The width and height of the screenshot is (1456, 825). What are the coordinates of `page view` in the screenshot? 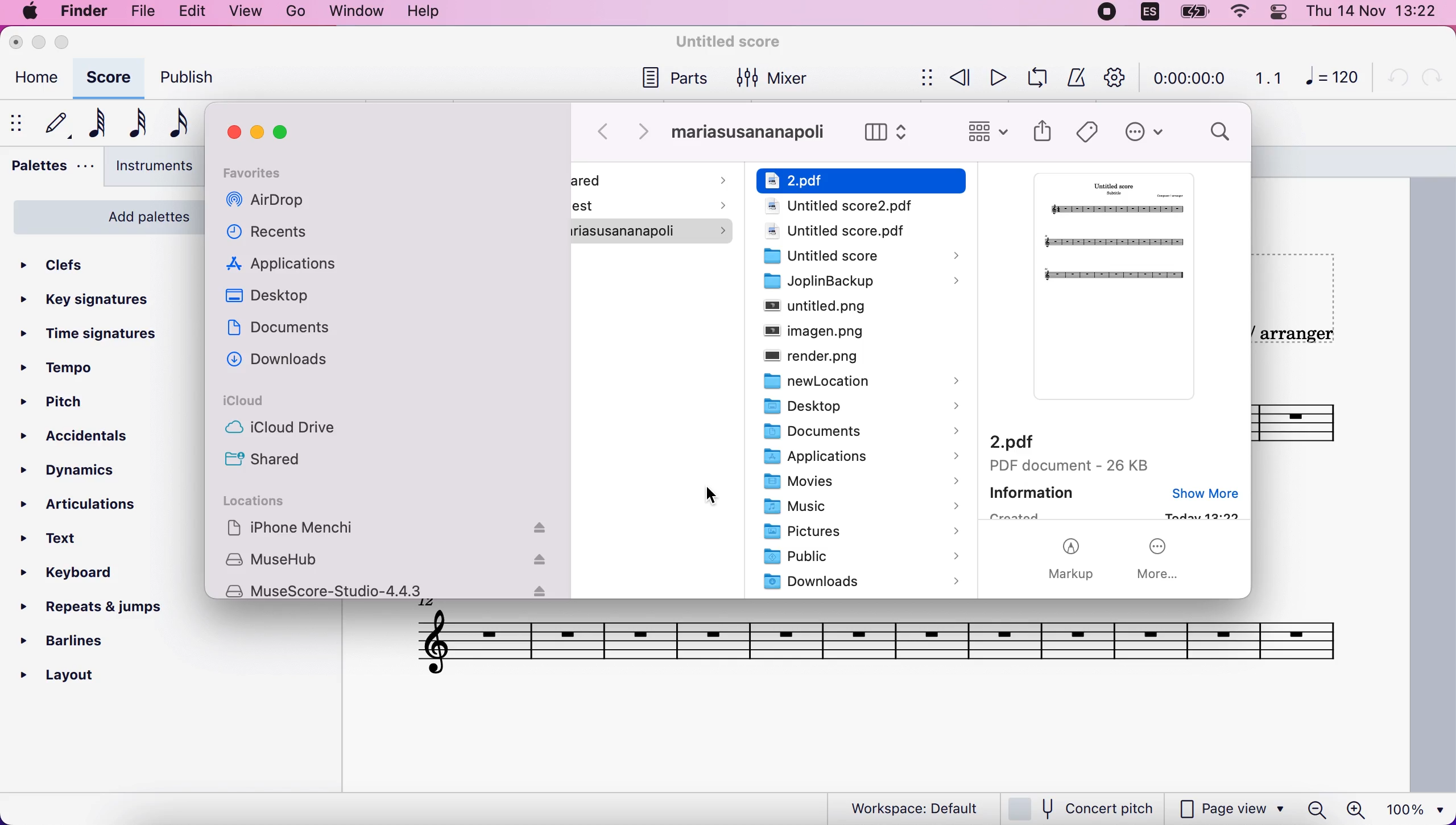 It's located at (1232, 810).